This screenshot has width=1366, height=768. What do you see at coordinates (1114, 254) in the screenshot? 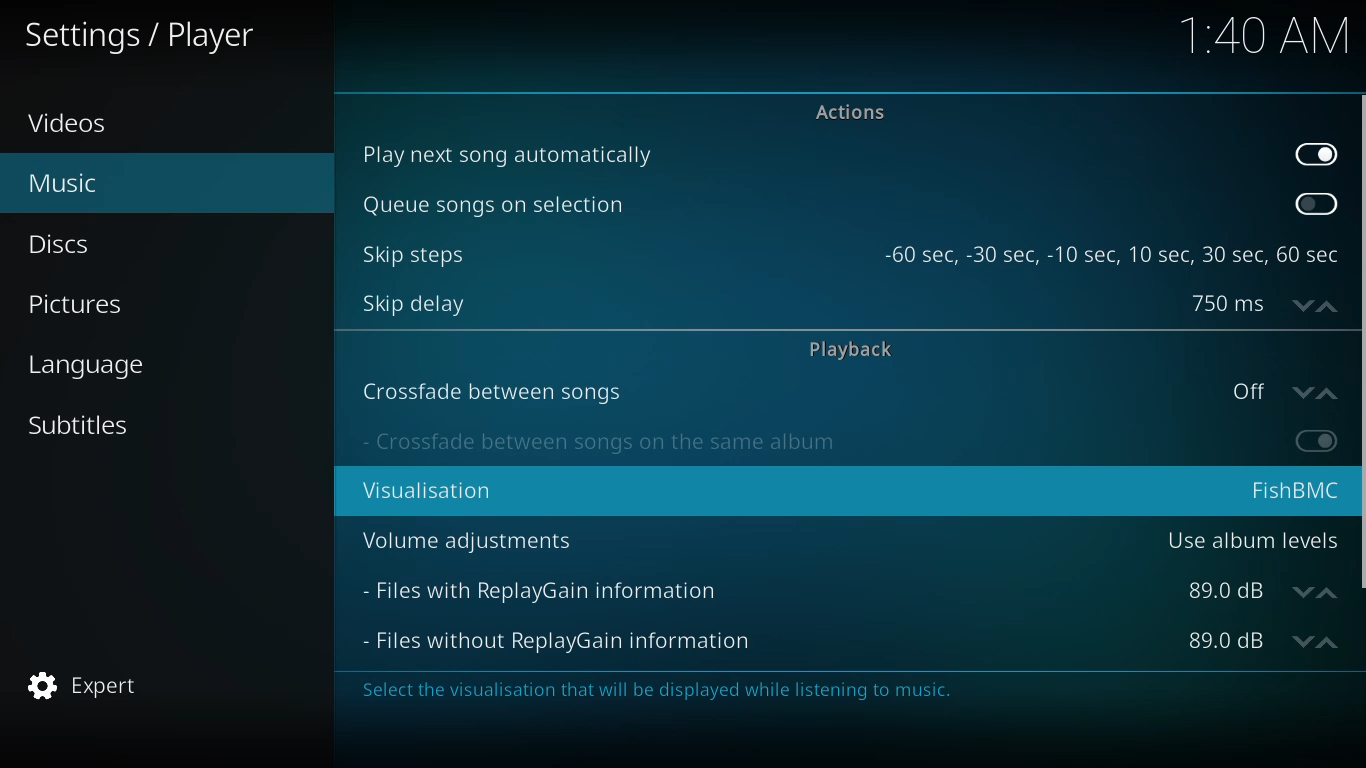
I see `steps` at bounding box center [1114, 254].